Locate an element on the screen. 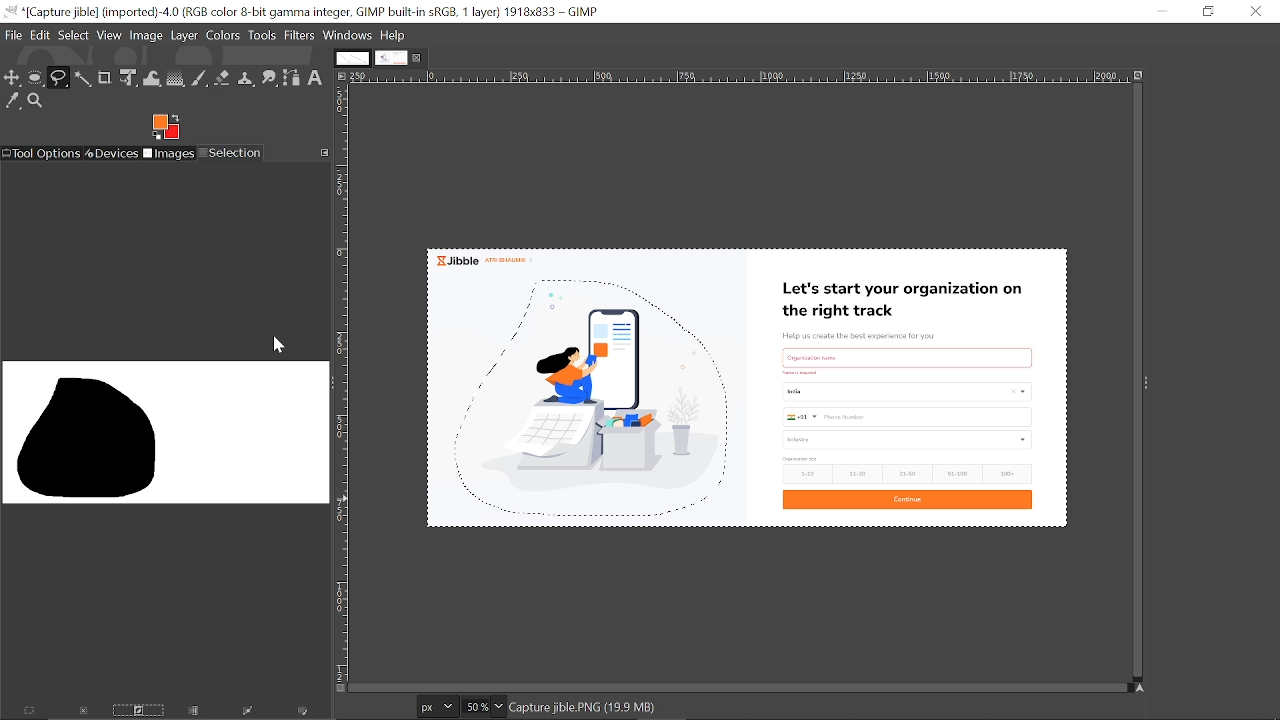 Image resolution: width=1280 pixels, height=720 pixels. Current image is located at coordinates (909, 392).